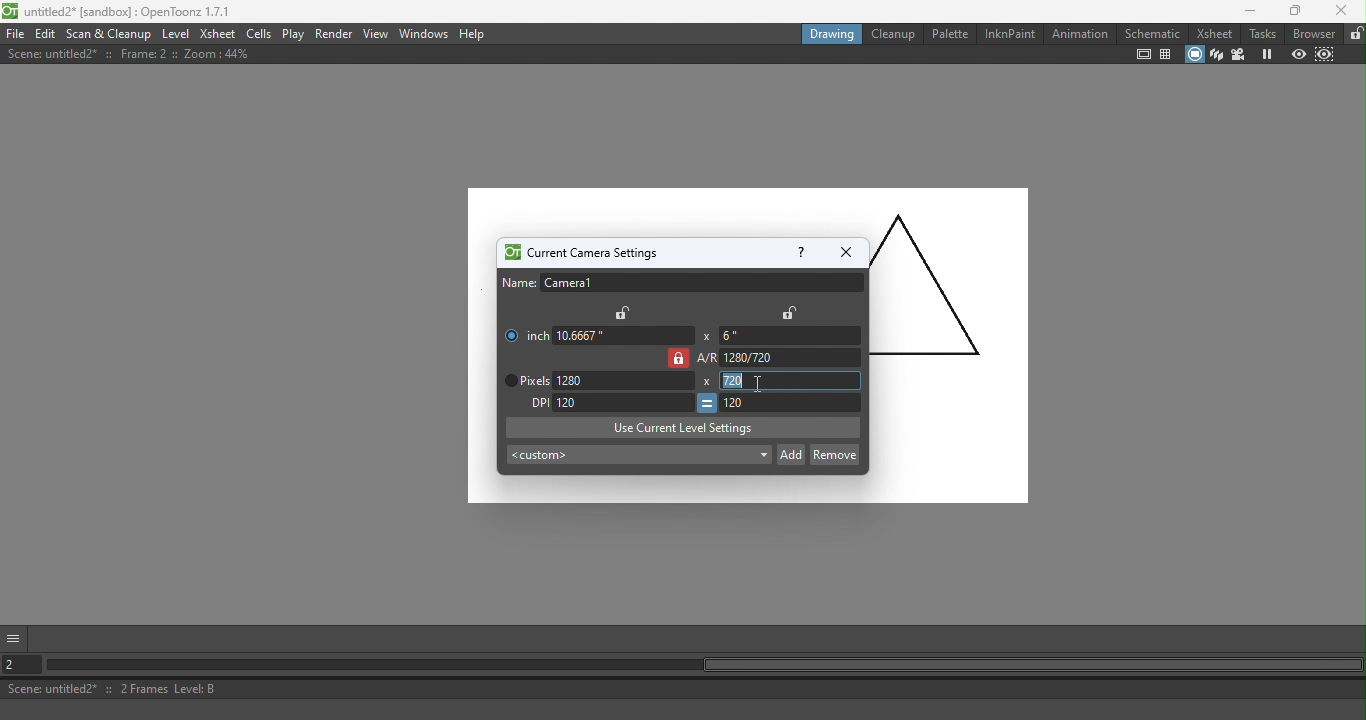 This screenshot has width=1366, height=720. I want to click on Edit, so click(45, 34).